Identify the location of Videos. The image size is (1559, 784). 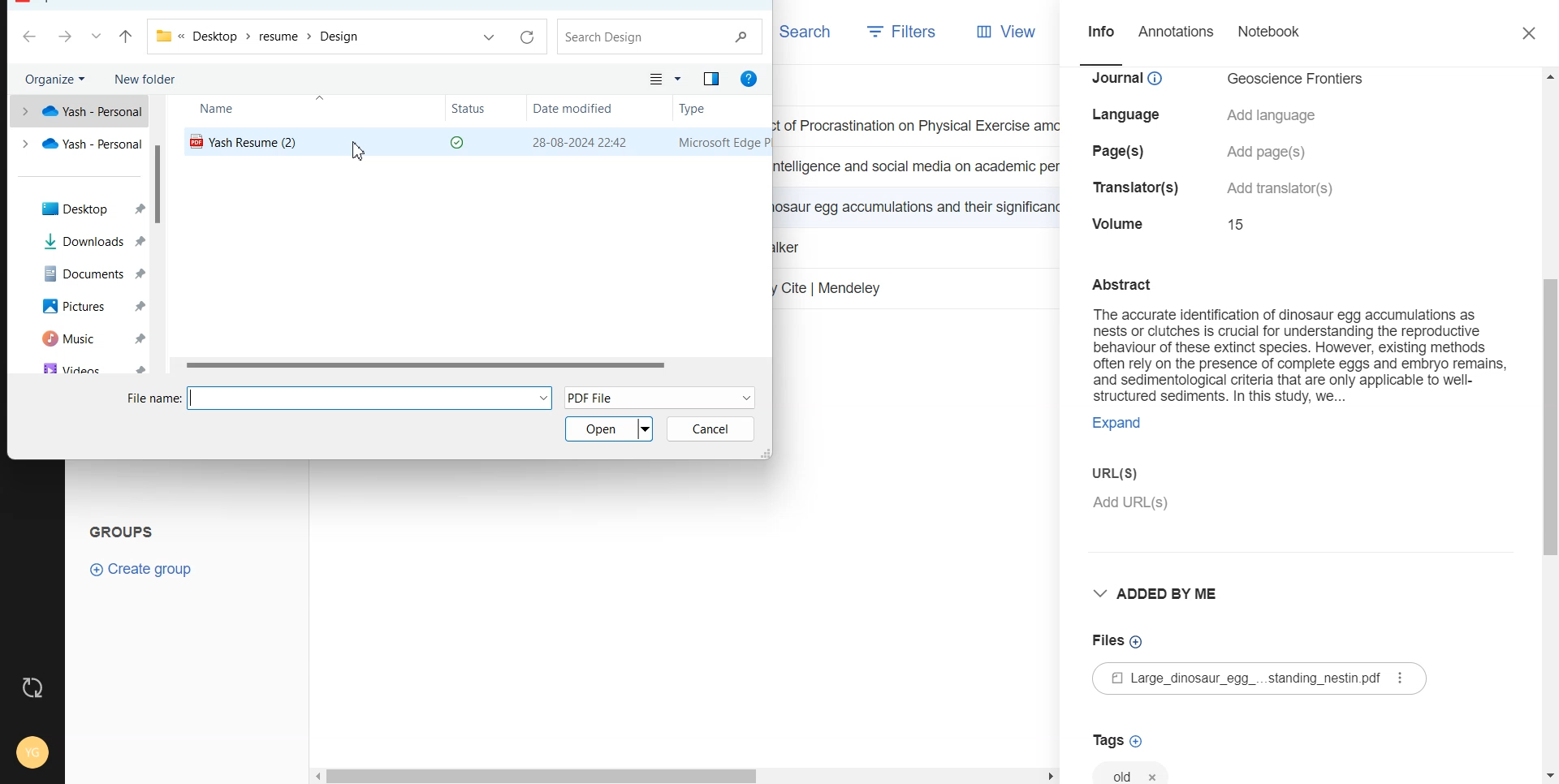
(79, 366).